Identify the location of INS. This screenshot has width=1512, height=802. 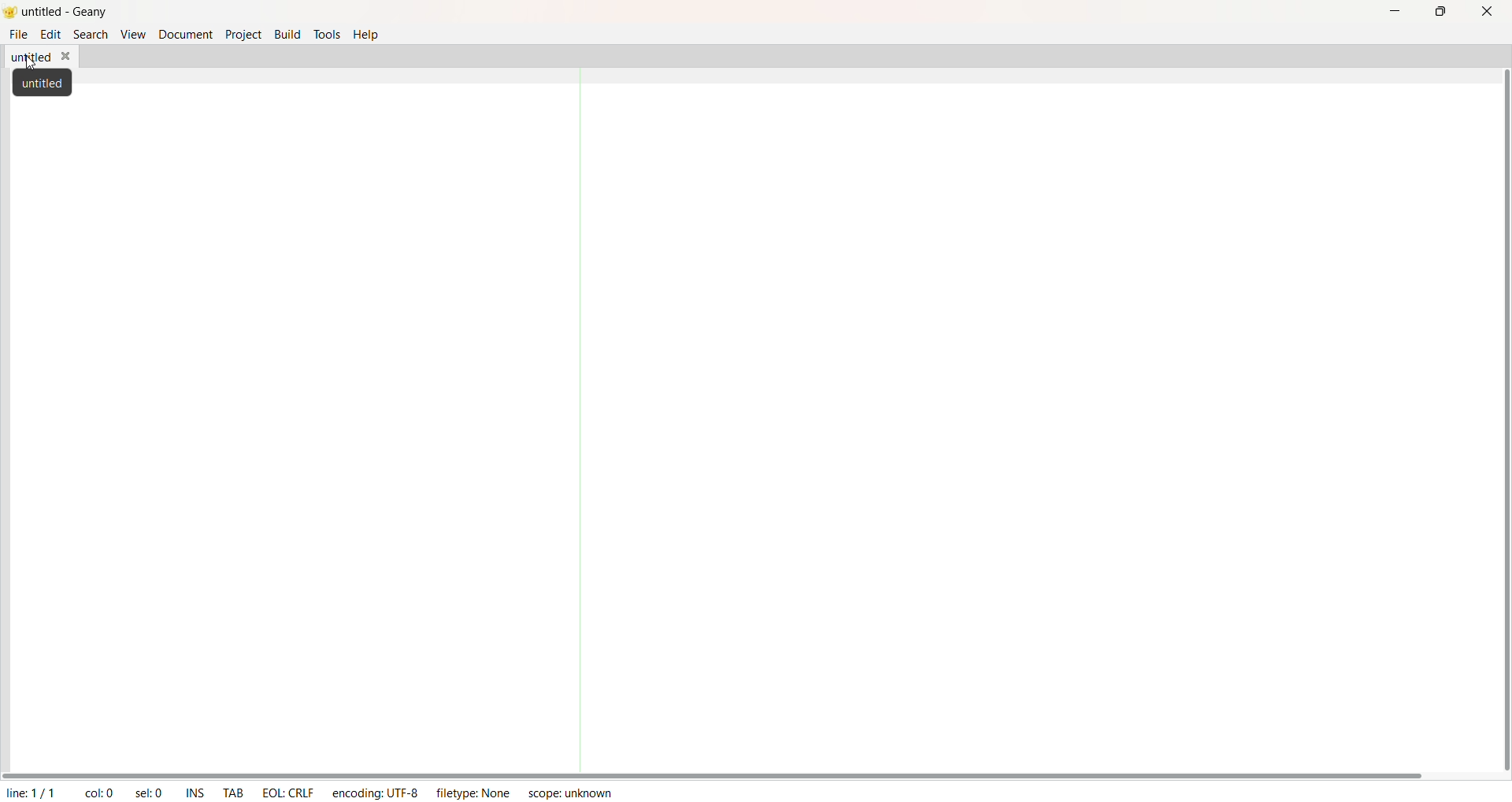
(194, 792).